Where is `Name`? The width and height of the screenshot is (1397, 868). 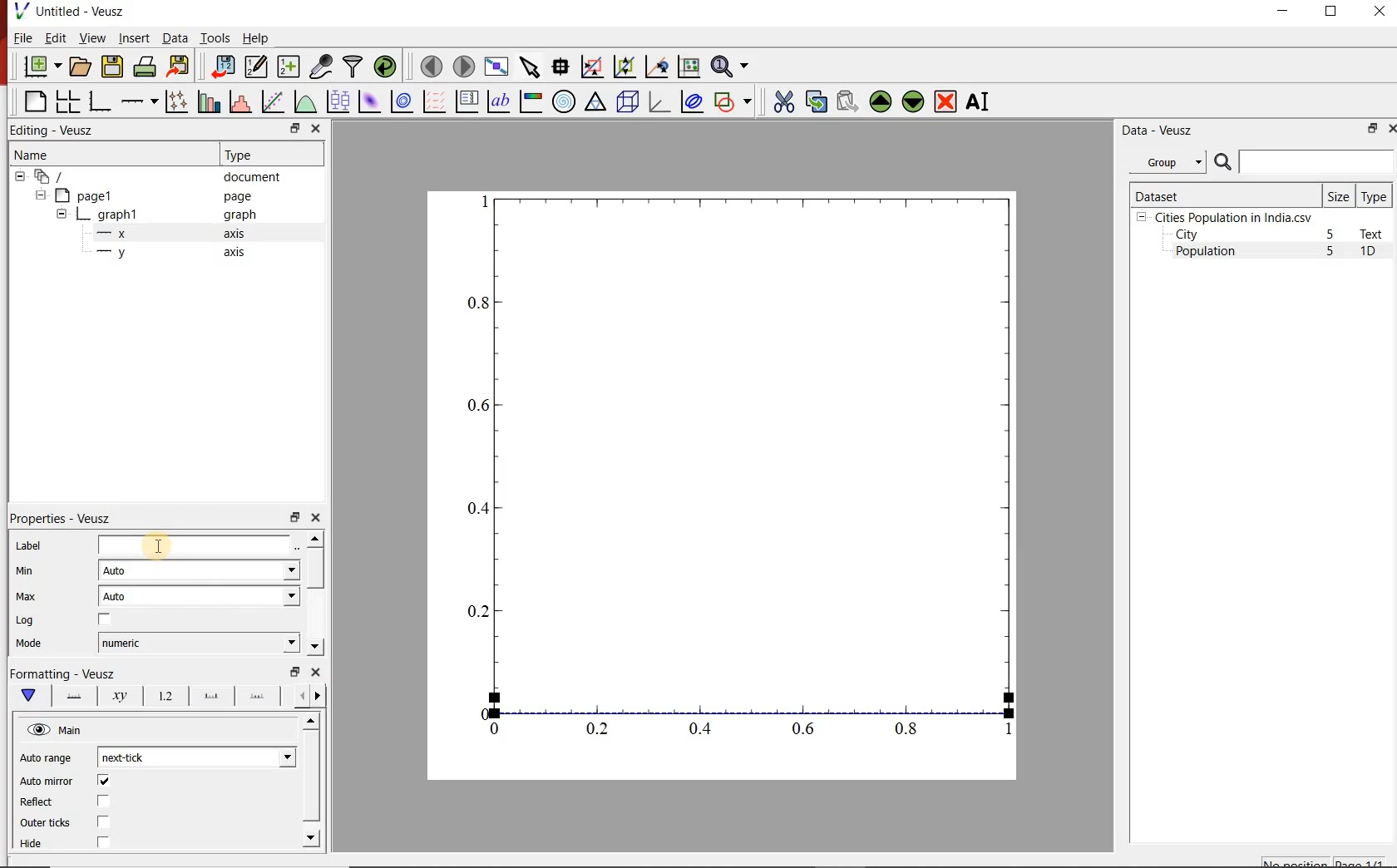 Name is located at coordinates (94, 154).